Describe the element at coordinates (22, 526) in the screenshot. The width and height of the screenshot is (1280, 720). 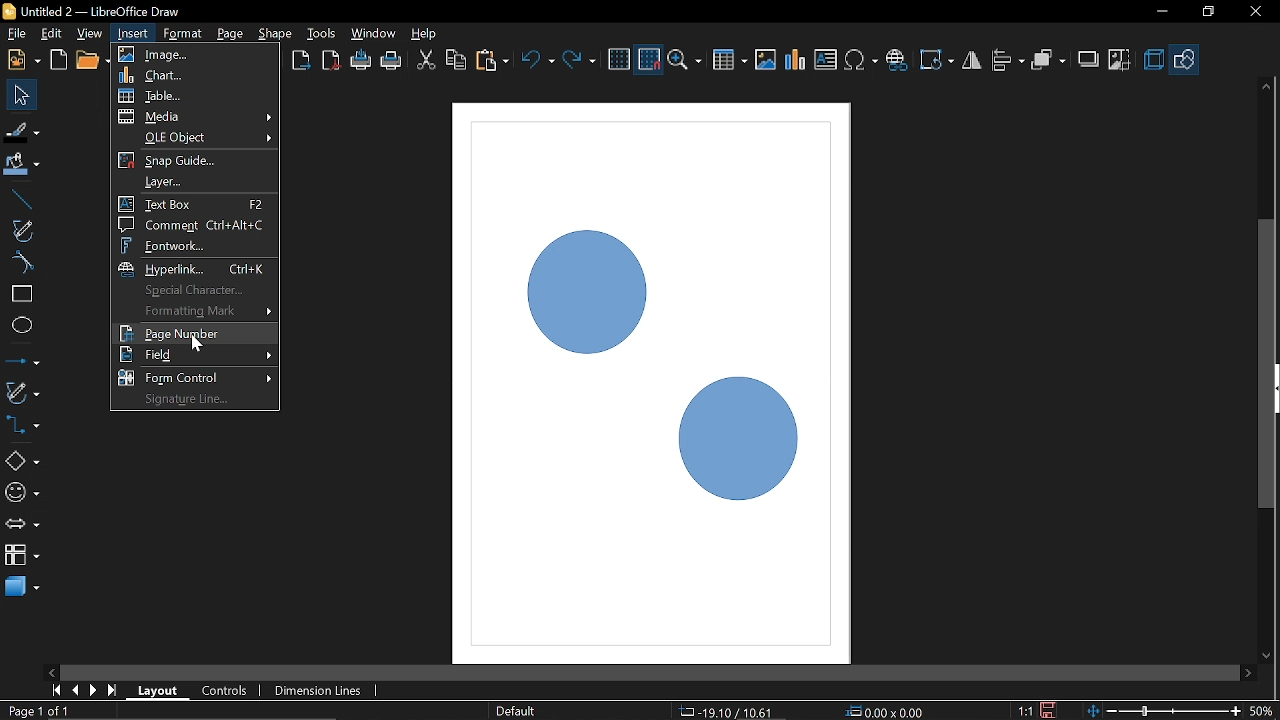
I see ` arrow shapes` at that location.